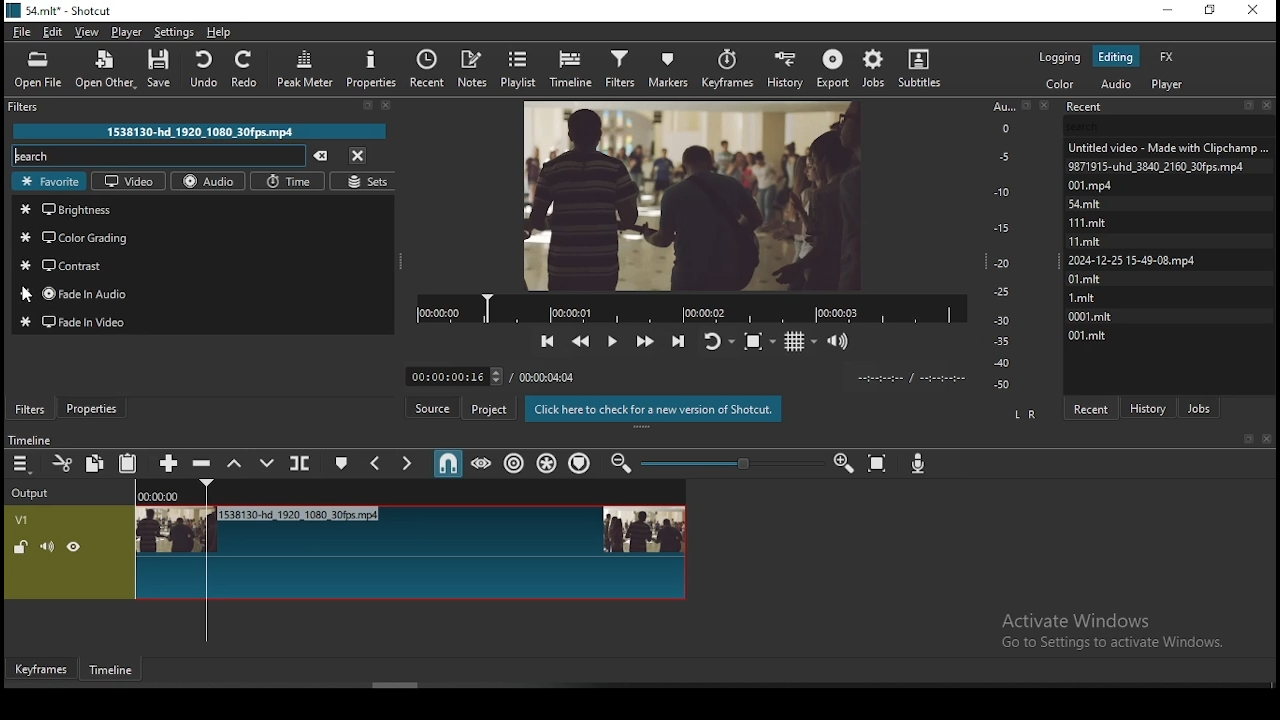 The height and width of the screenshot is (720, 1280). What do you see at coordinates (1210, 11) in the screenshot?
I see `restore` at bounding box center [1210, 11].